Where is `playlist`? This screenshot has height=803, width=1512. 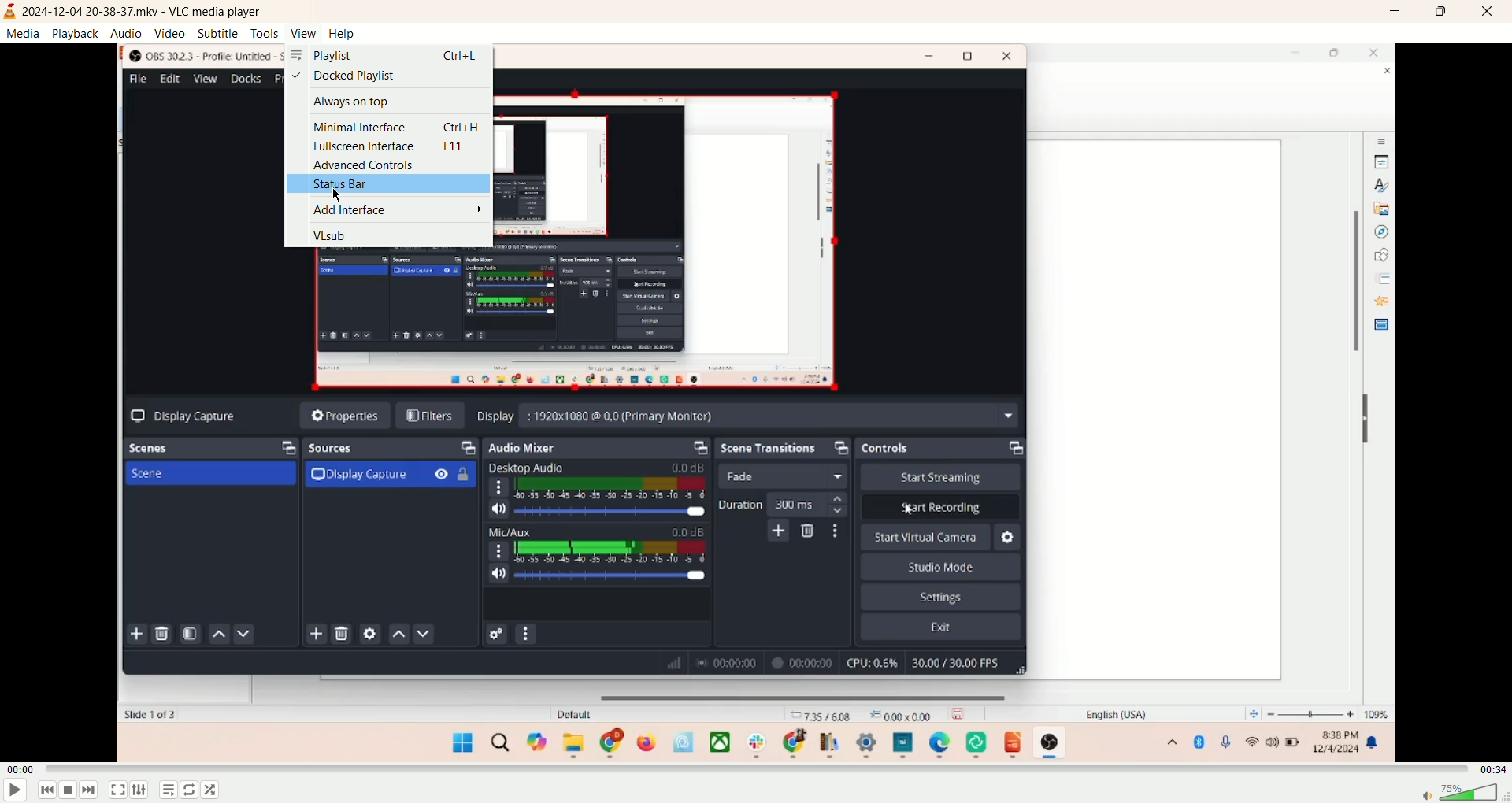 playlist is located at coordinates (166, 790).